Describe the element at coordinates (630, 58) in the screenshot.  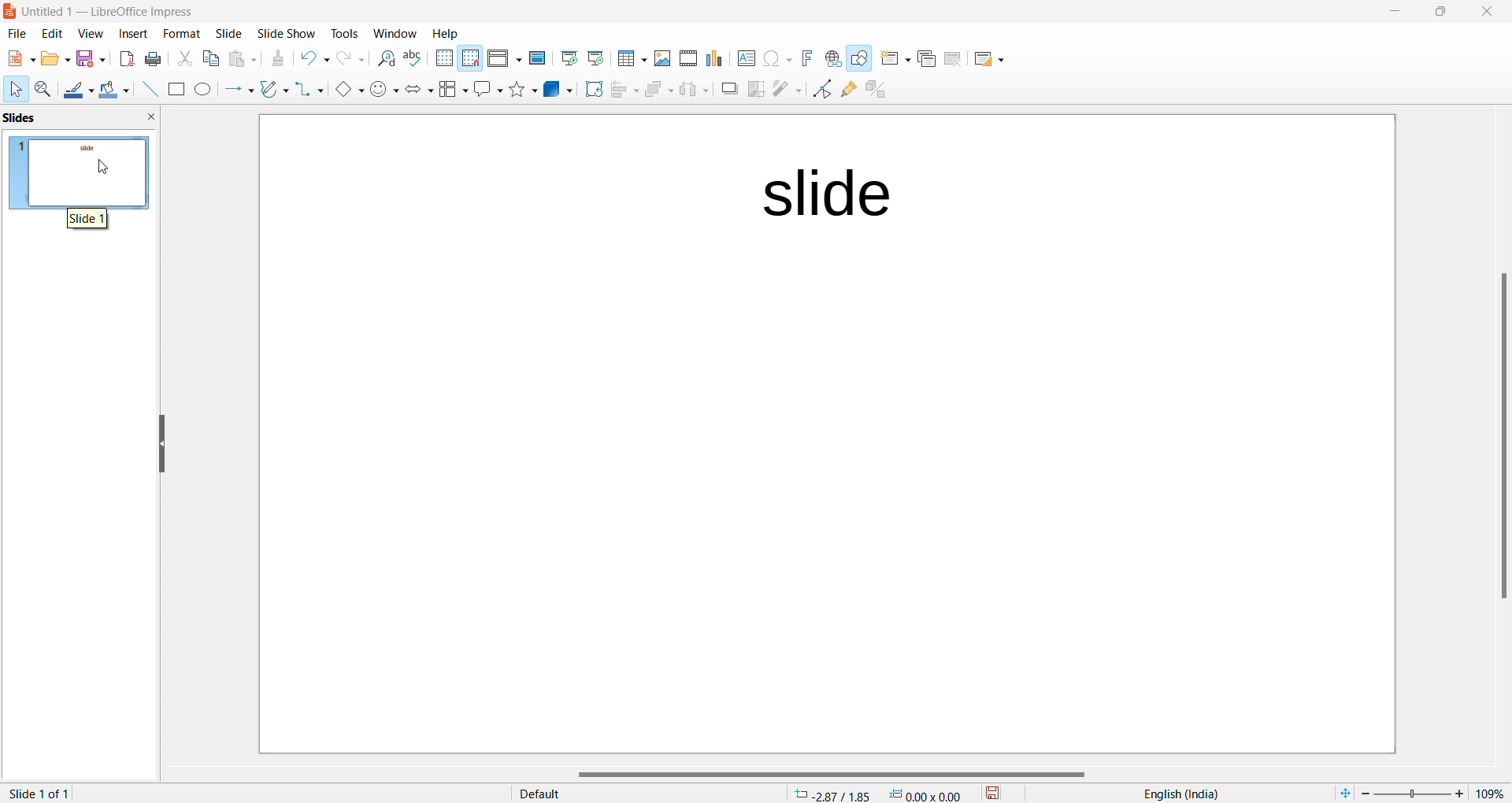
I see `Insert table` at that location.